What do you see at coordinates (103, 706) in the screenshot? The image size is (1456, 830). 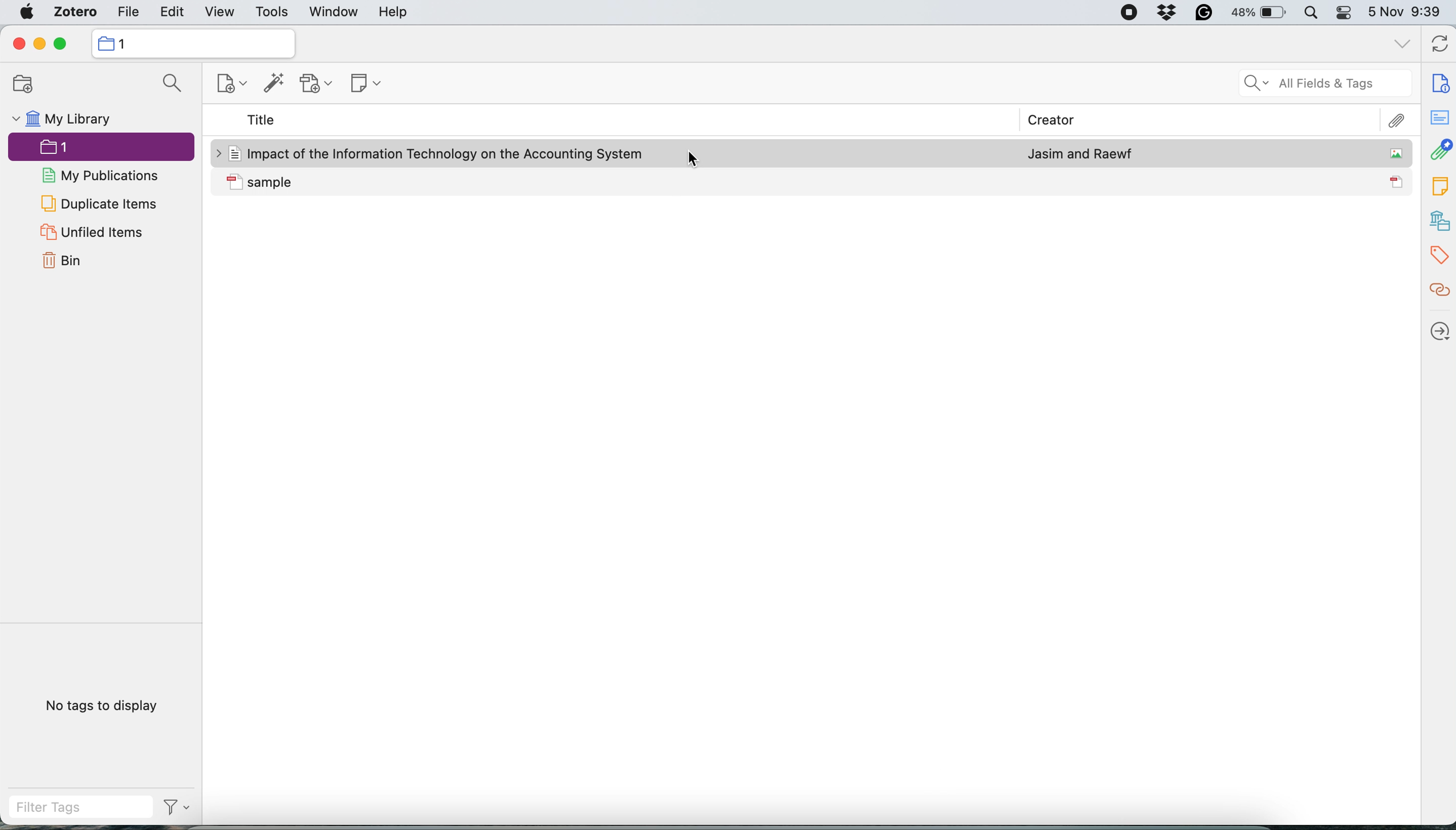 I see `No tags to display` at bounding box center [103, 706].